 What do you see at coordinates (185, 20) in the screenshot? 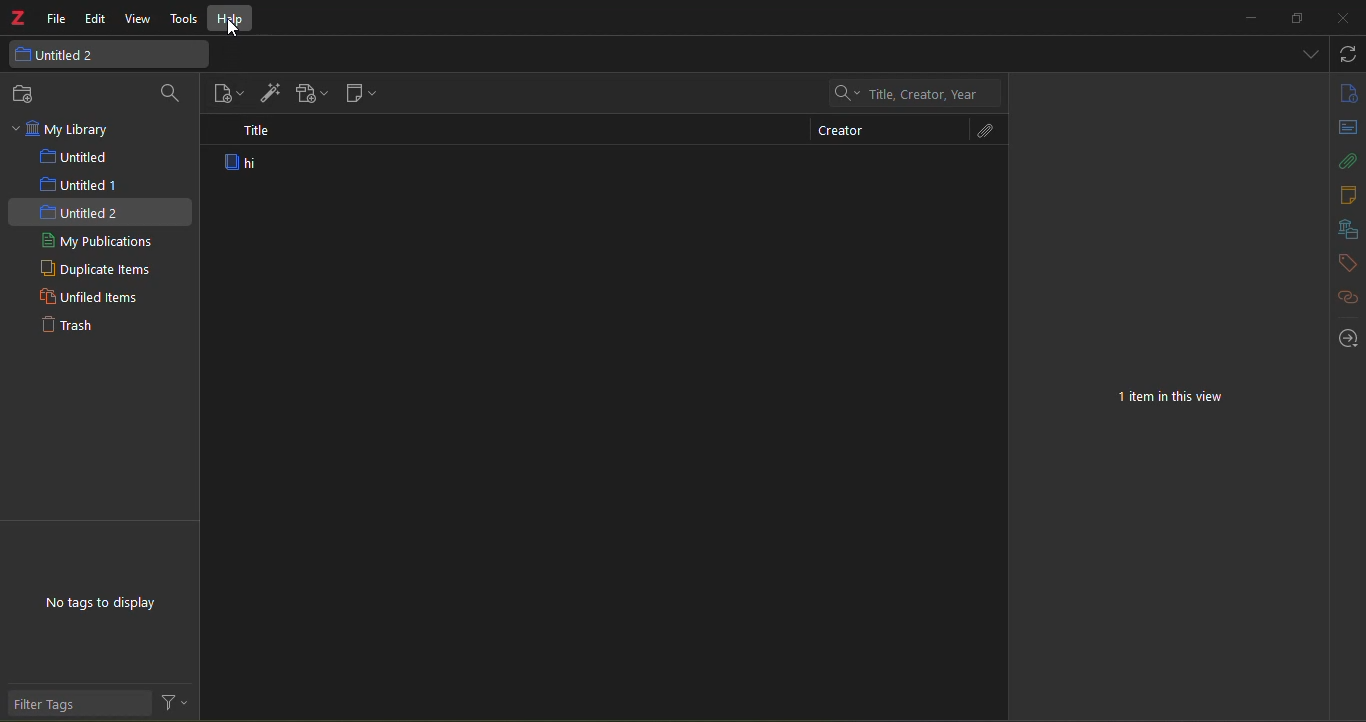
I see `tools` at bounding box center [185, 20].